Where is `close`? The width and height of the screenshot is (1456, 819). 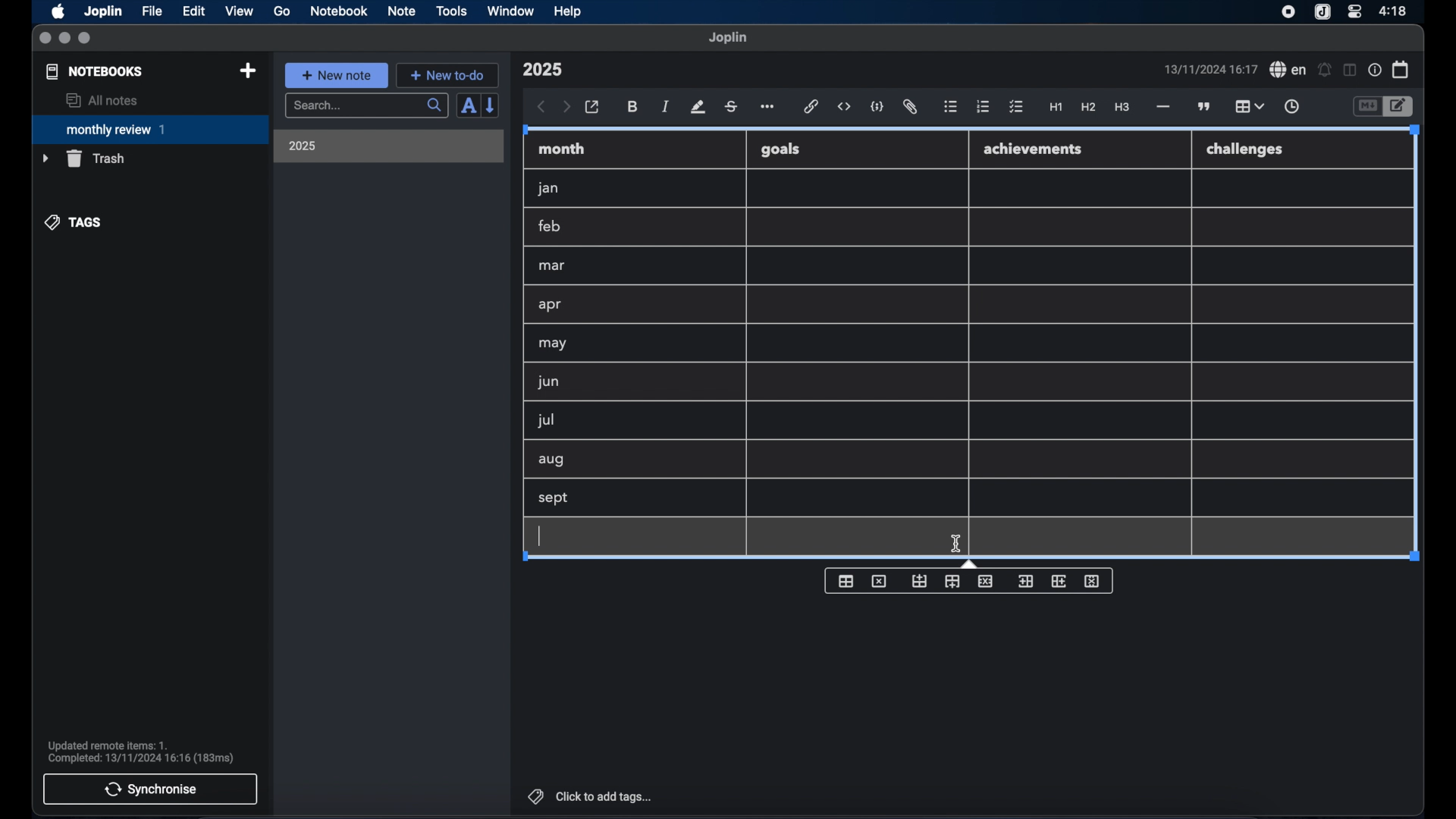 close is located at coordinates (45, 39).